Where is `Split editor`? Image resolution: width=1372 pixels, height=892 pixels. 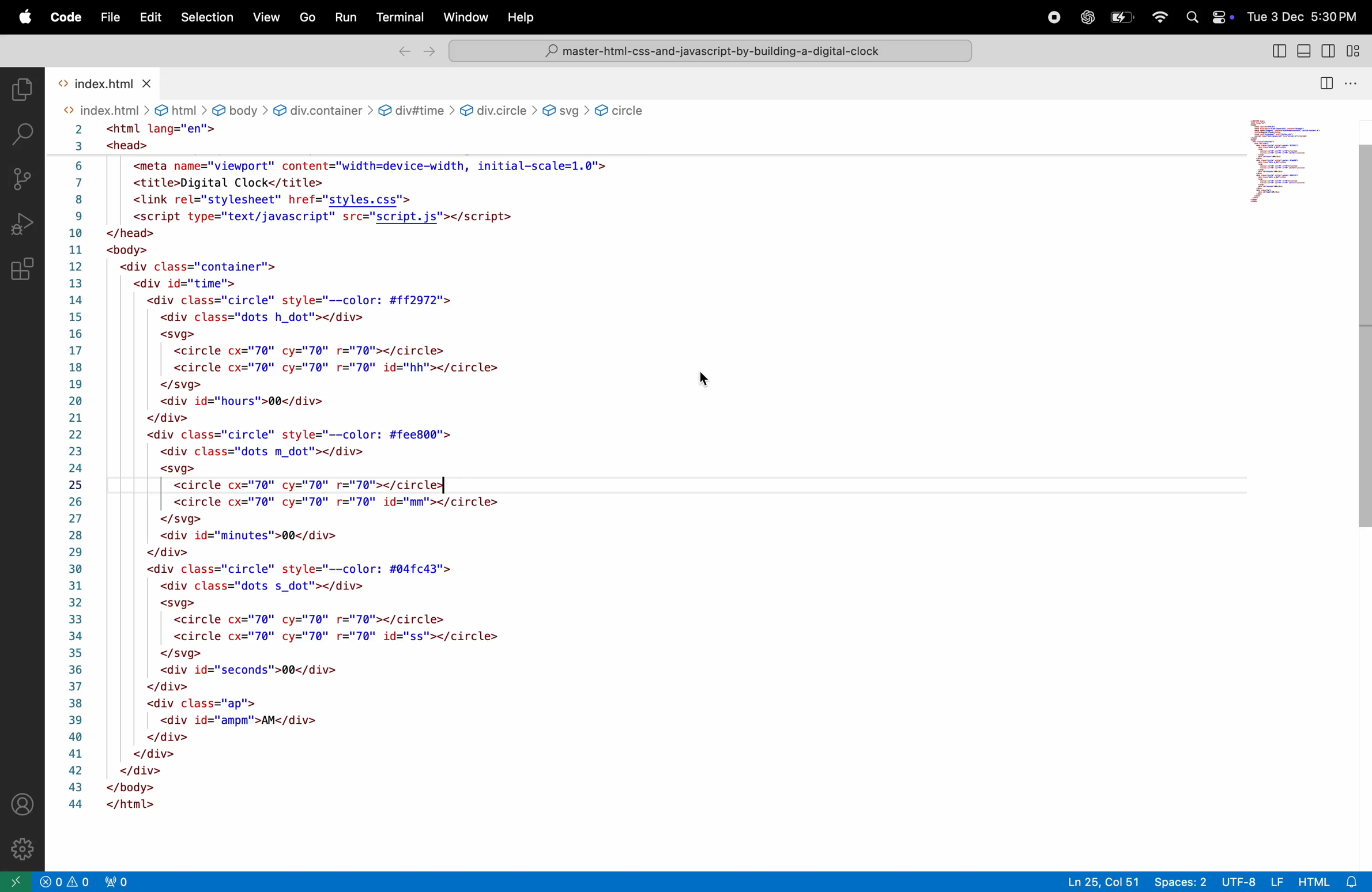
Split editor is located at coordinates (1324, 80).